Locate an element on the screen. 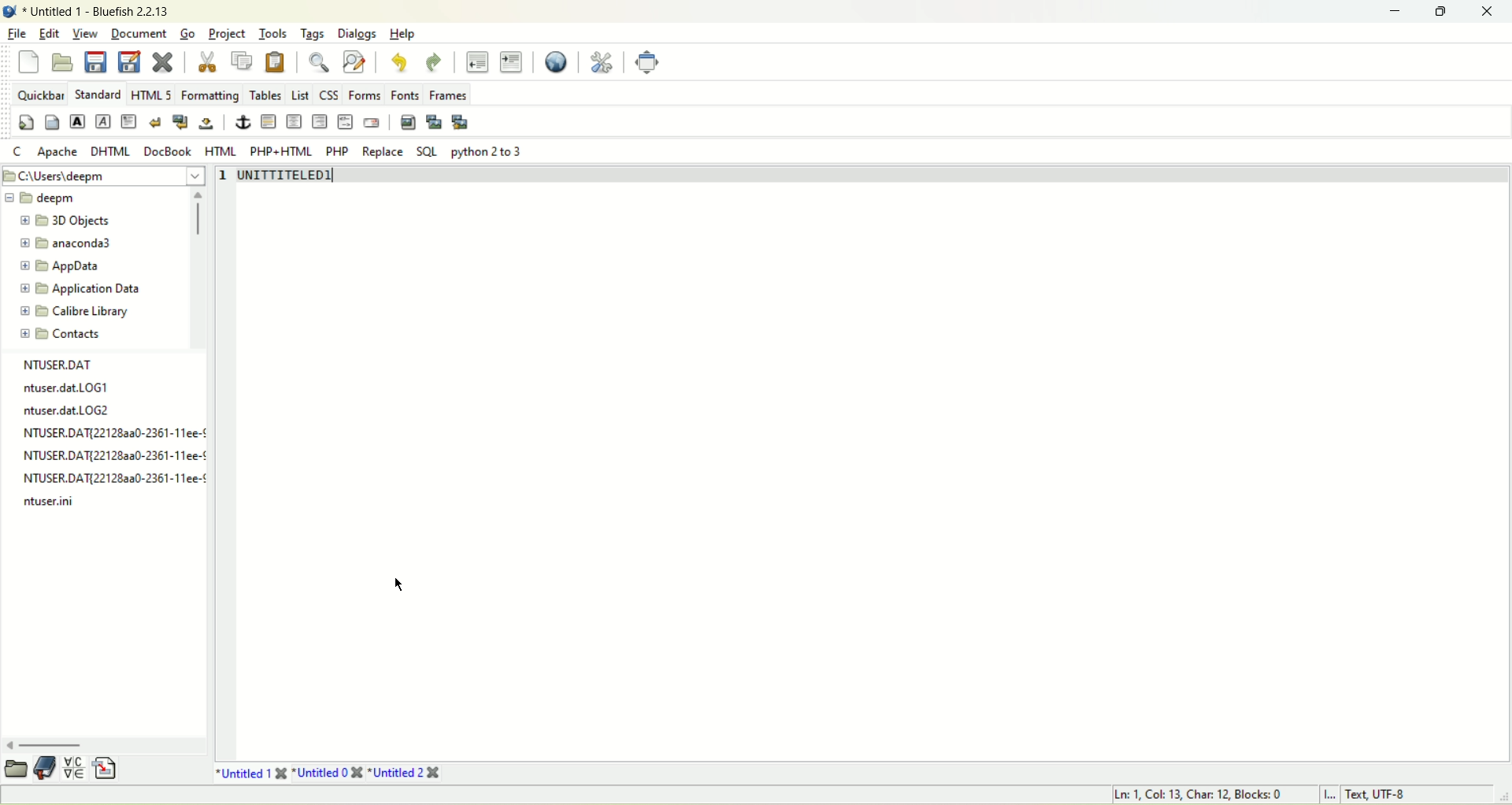  scroll bar is located at coordinates (198, 214).